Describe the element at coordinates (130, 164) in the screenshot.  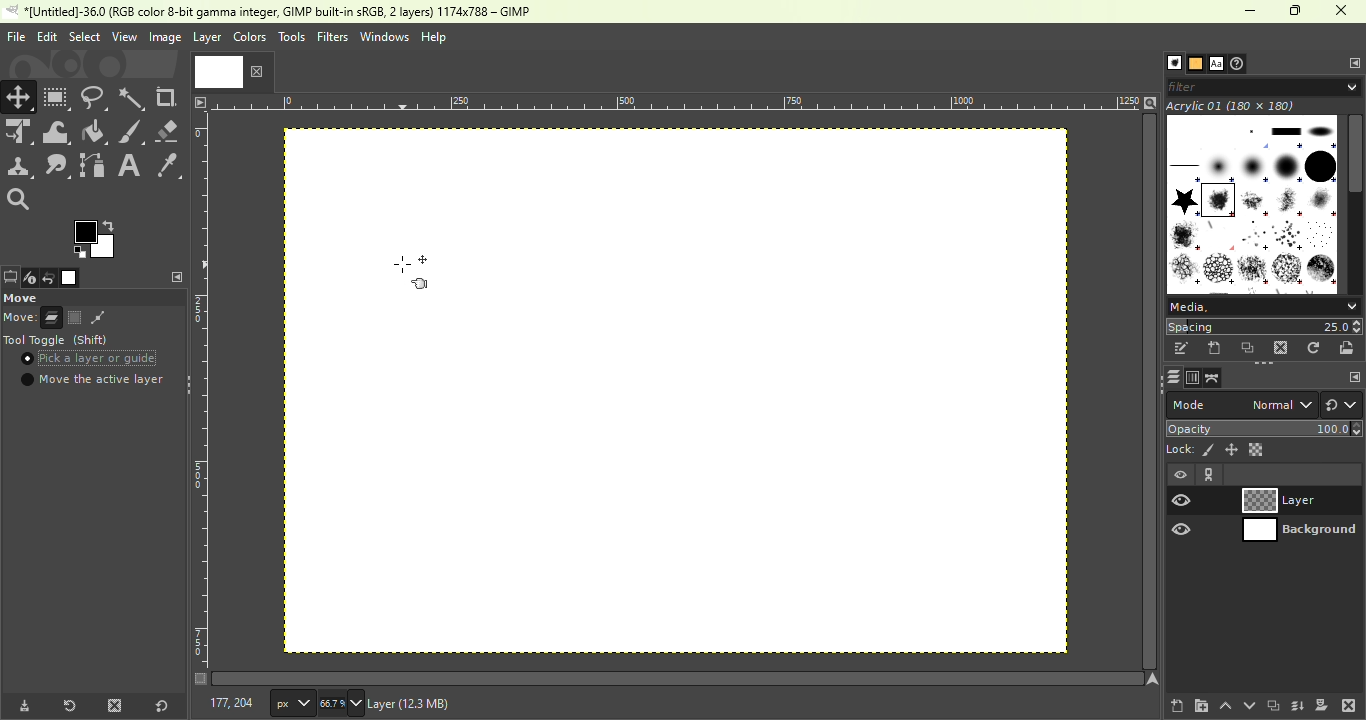
I see `Text tool` at that location.